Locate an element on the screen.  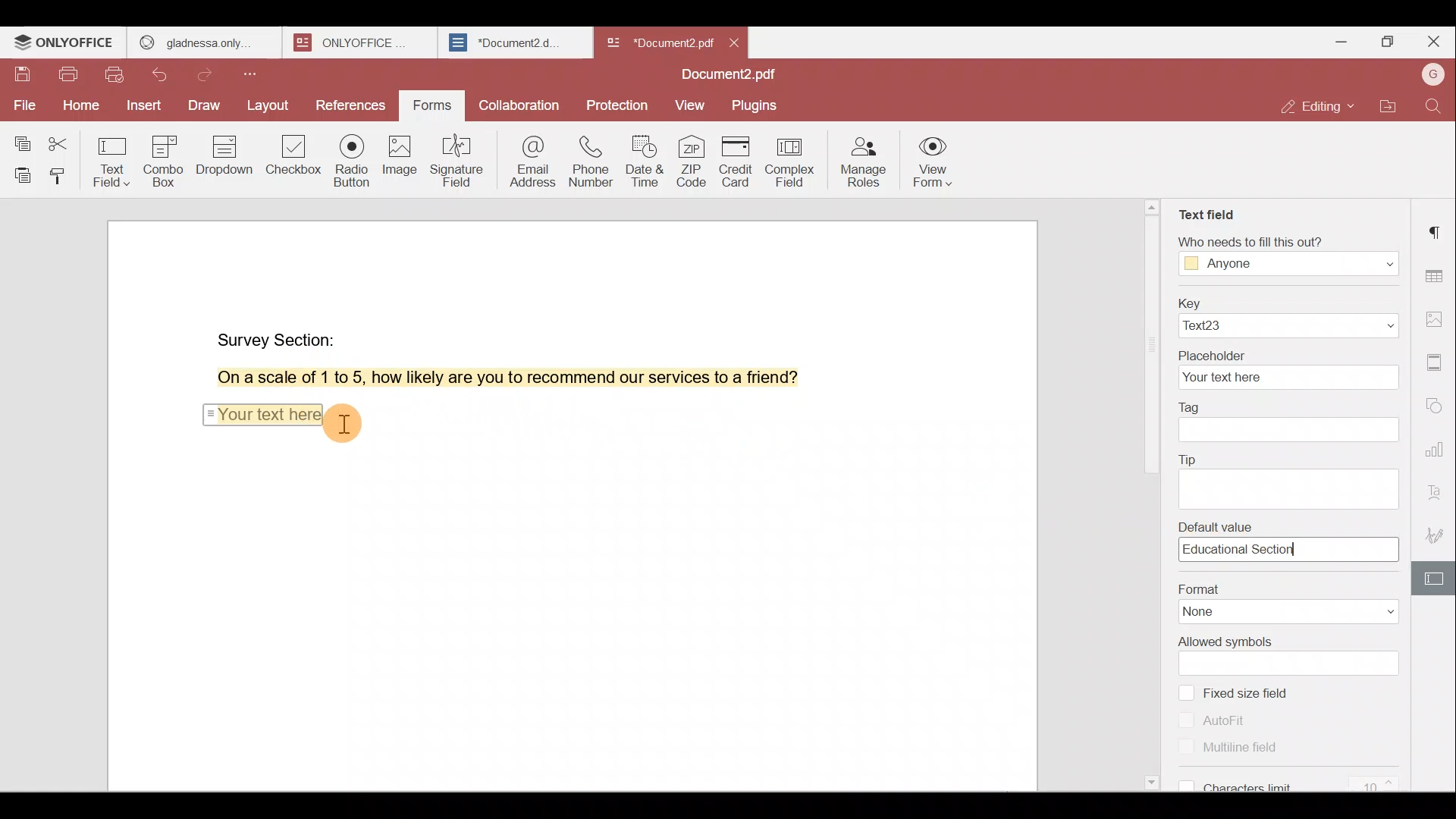
Plugins is located at coordinates (757, 104).